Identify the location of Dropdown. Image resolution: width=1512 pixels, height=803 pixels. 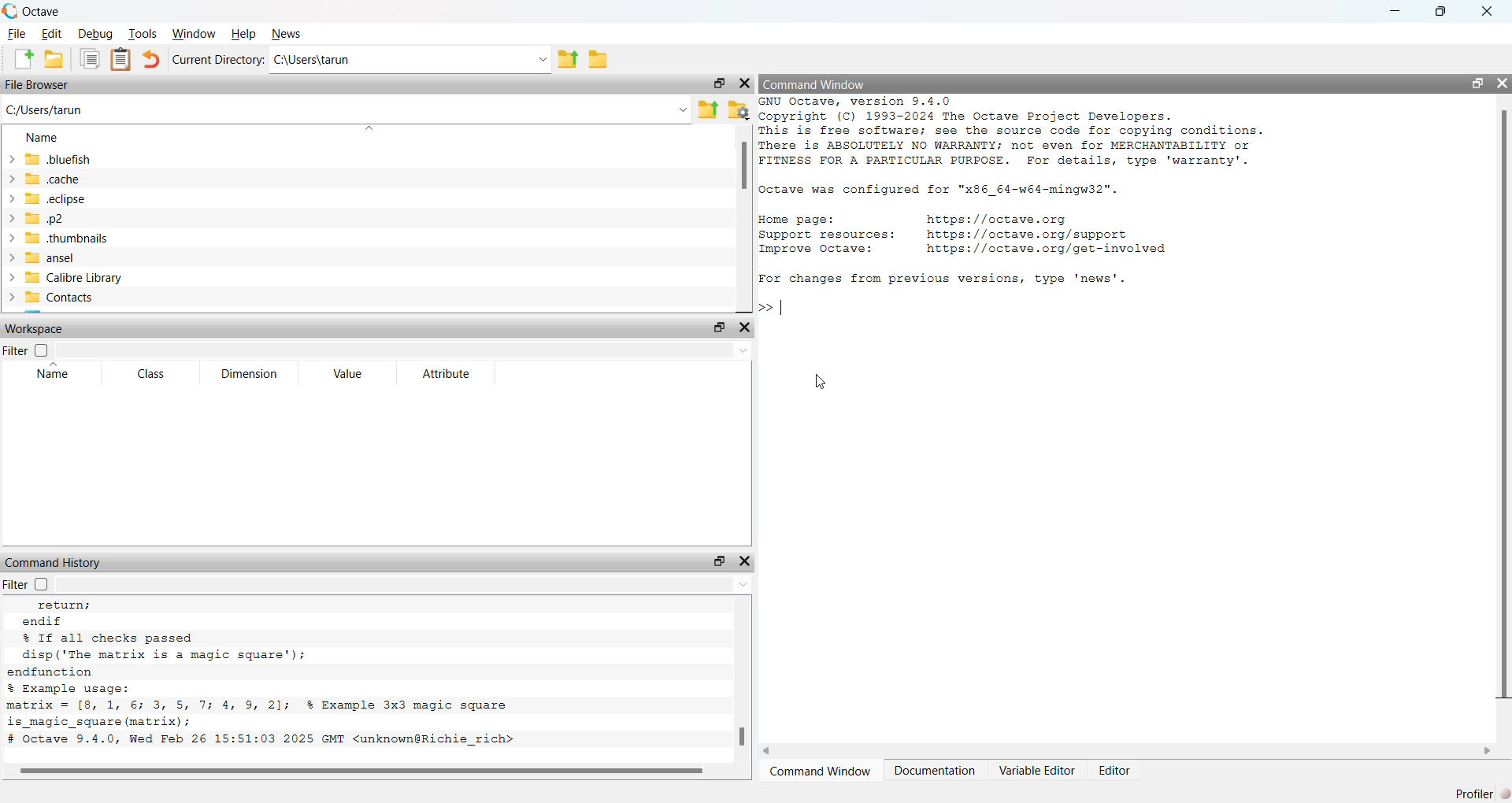
(684, 111).